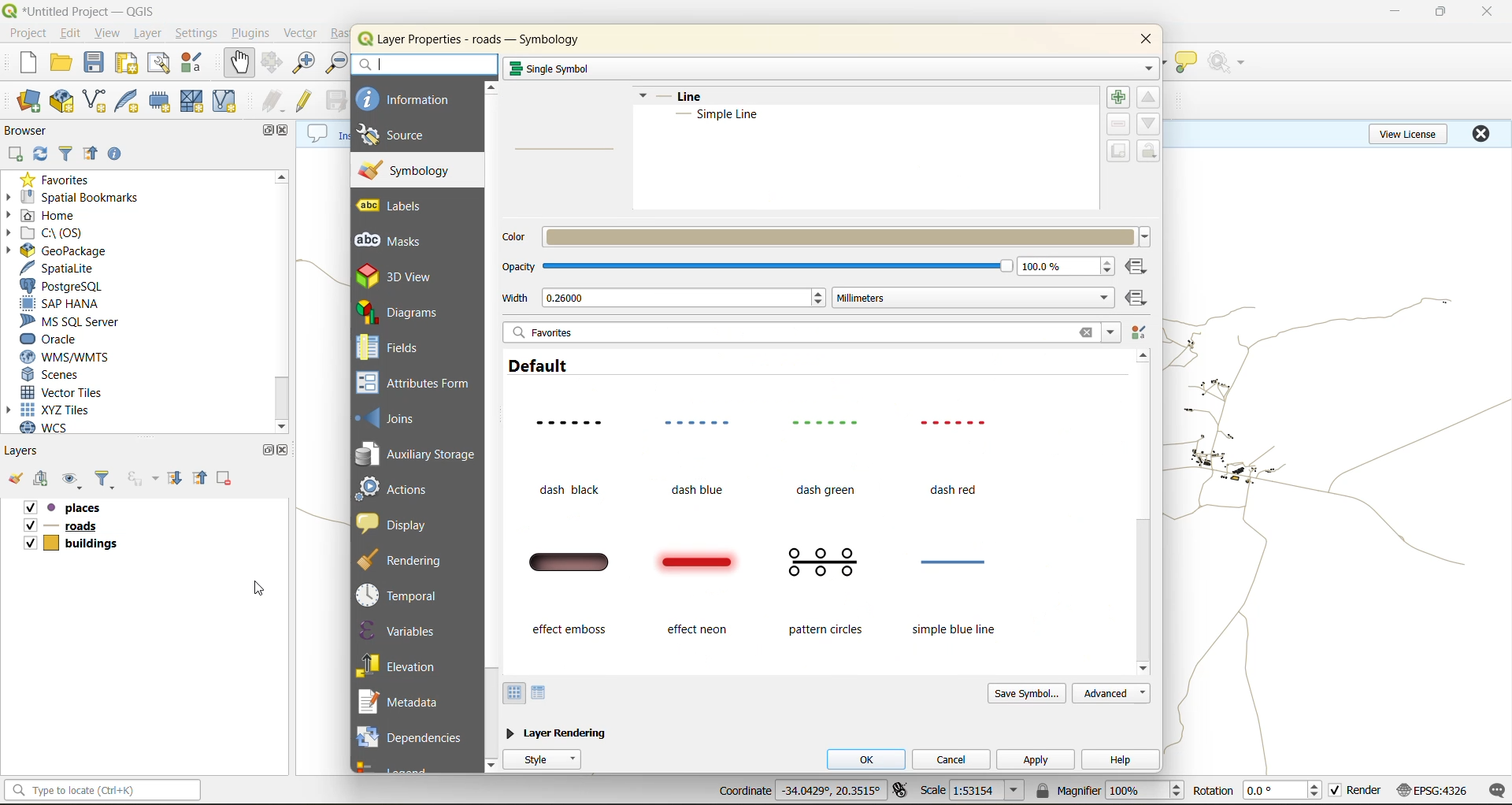 The image size is (1512, 805). I want to click on vertical scroll bar, so click(493, 699).